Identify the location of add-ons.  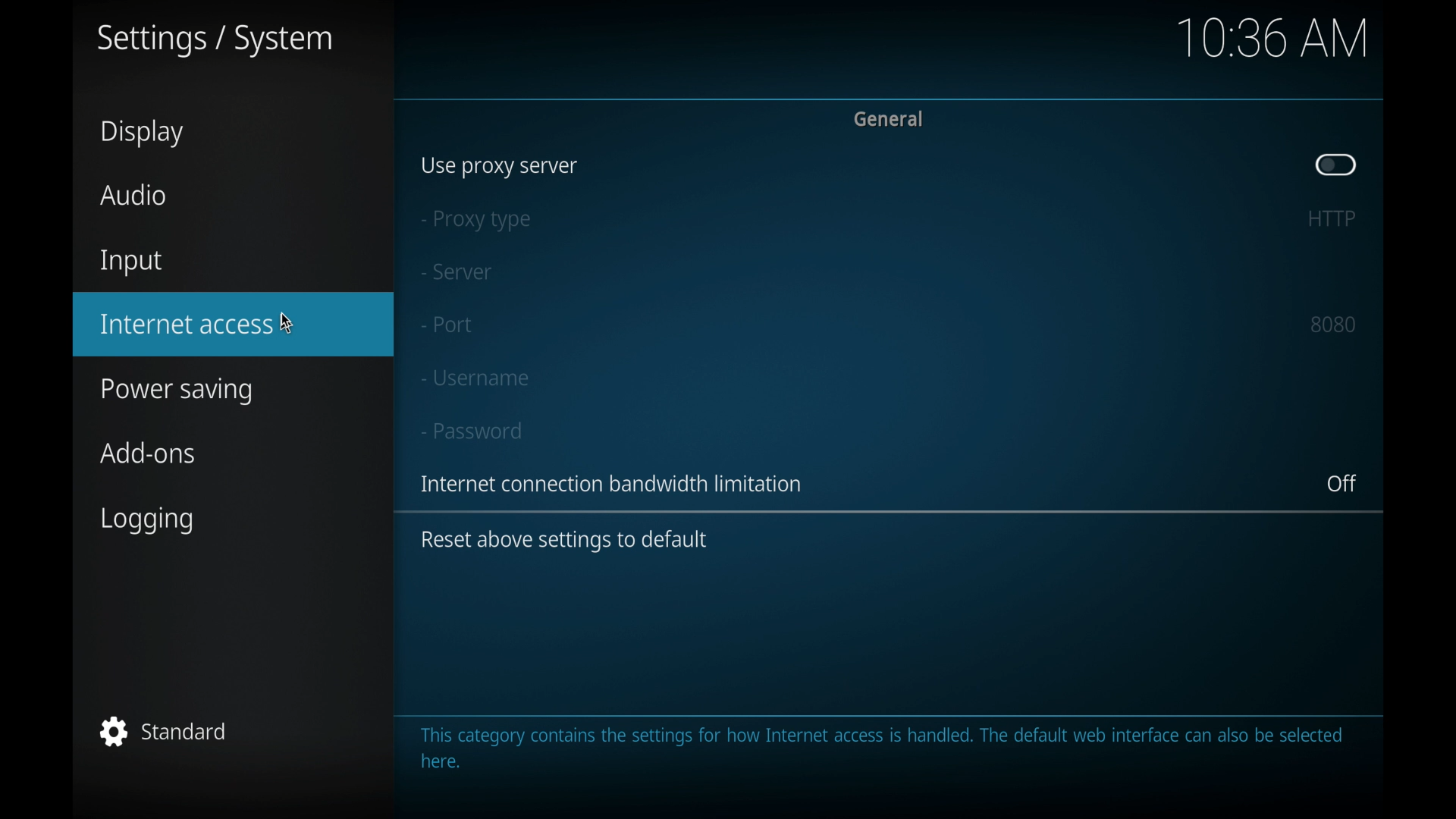
(149, 453).